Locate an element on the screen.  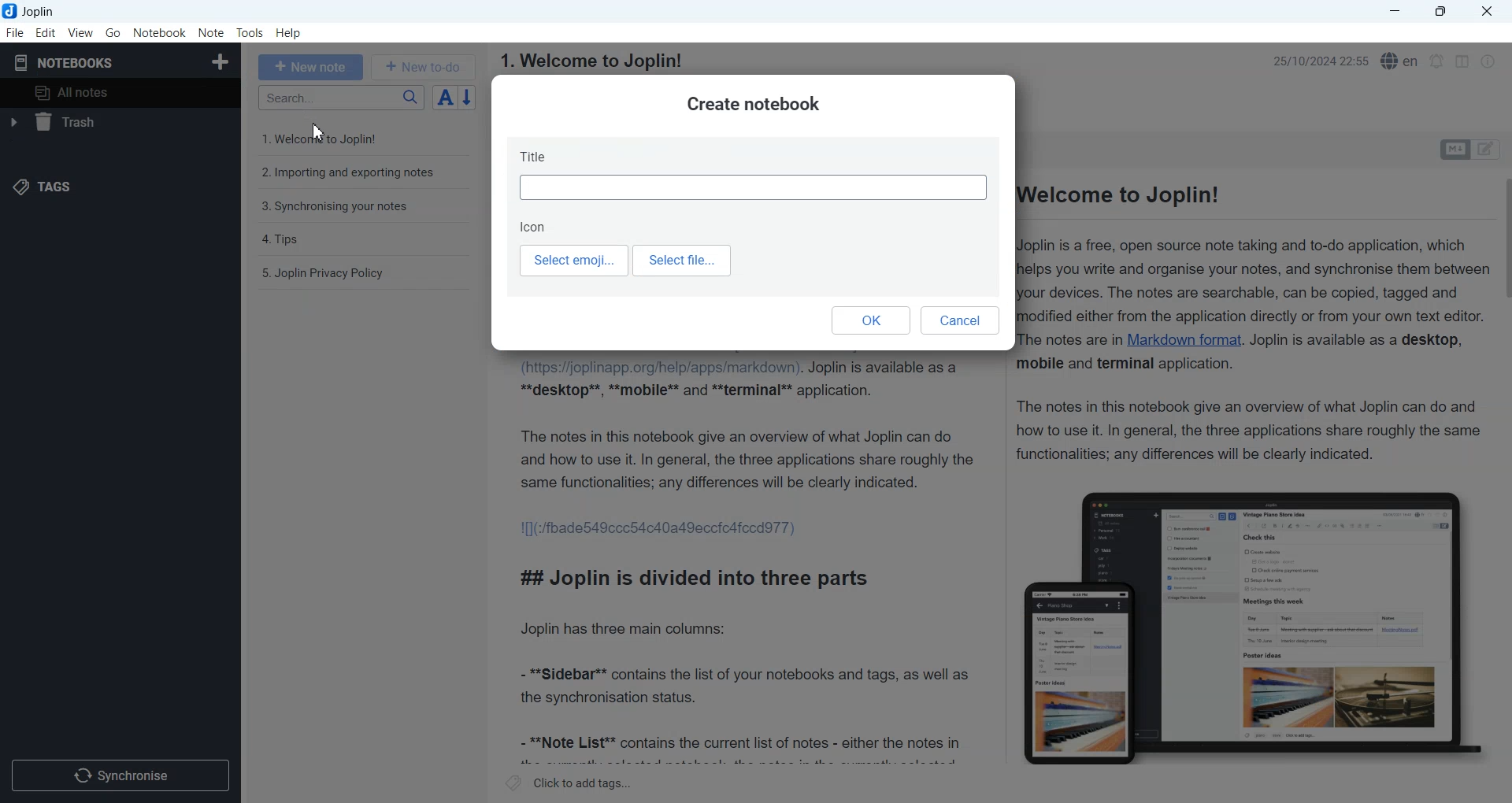
+ New to-do is located at coordinates (425, 66).